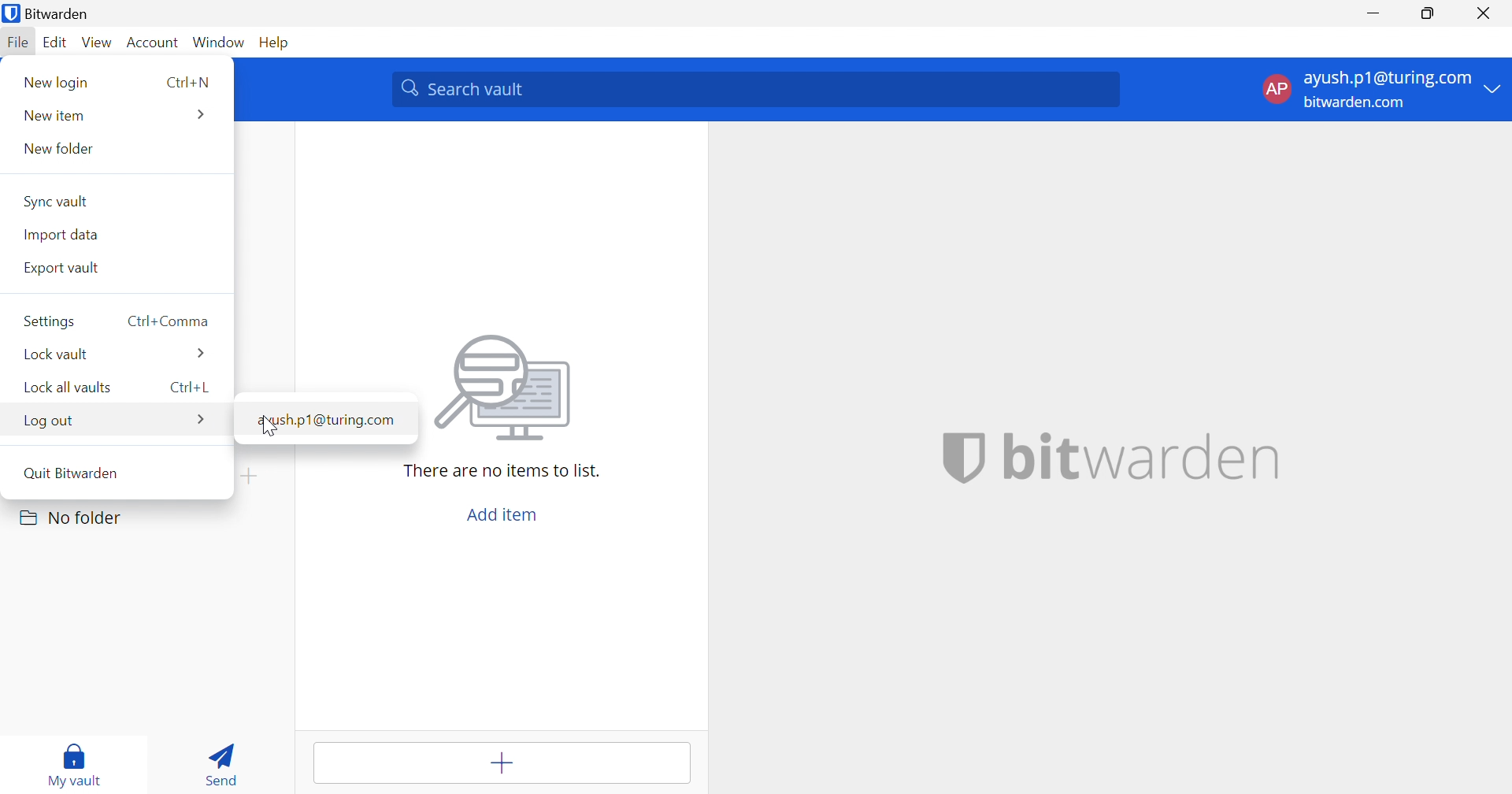  What do you see at coordinates (65, 388) in the screenshot?
I see `Local vault` at bounding box center [65, 388].